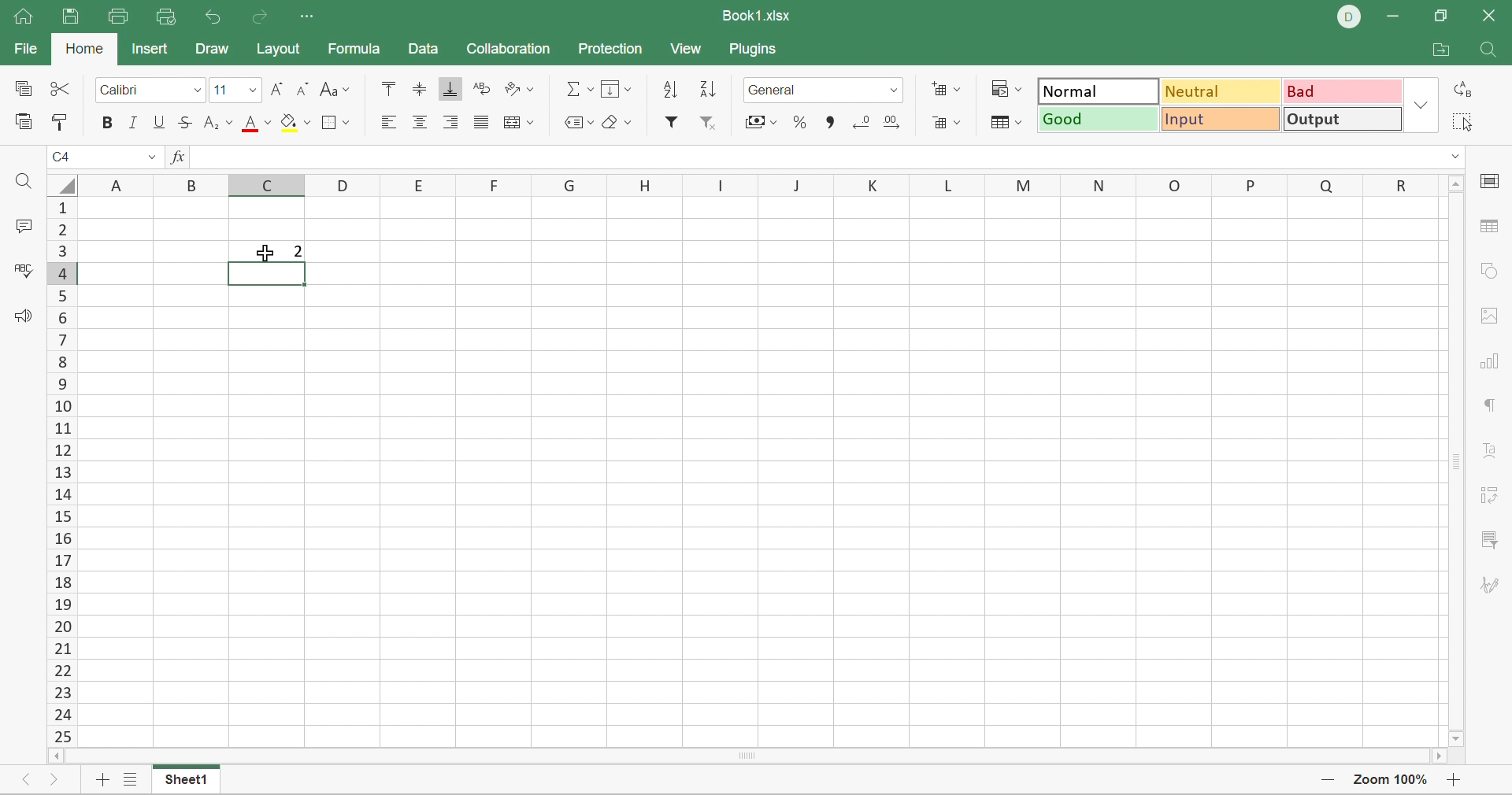 The image size is (1512, 795). What do you see at coordinates (258, 19) in the screenshot?
I see `Redo` at bounding box center [258, 19].